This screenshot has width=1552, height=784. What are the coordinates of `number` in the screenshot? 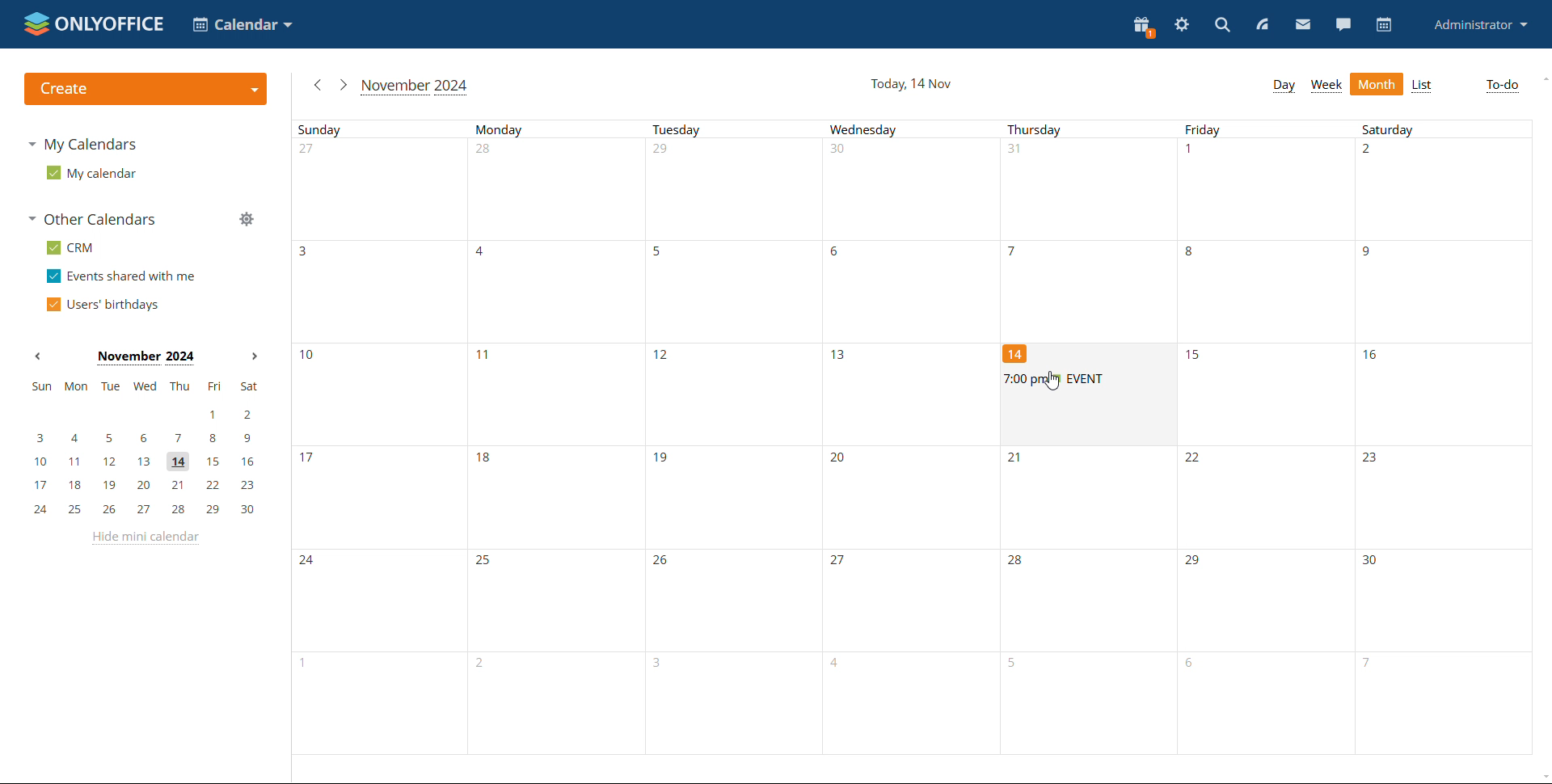 It's located at (1023, 153).